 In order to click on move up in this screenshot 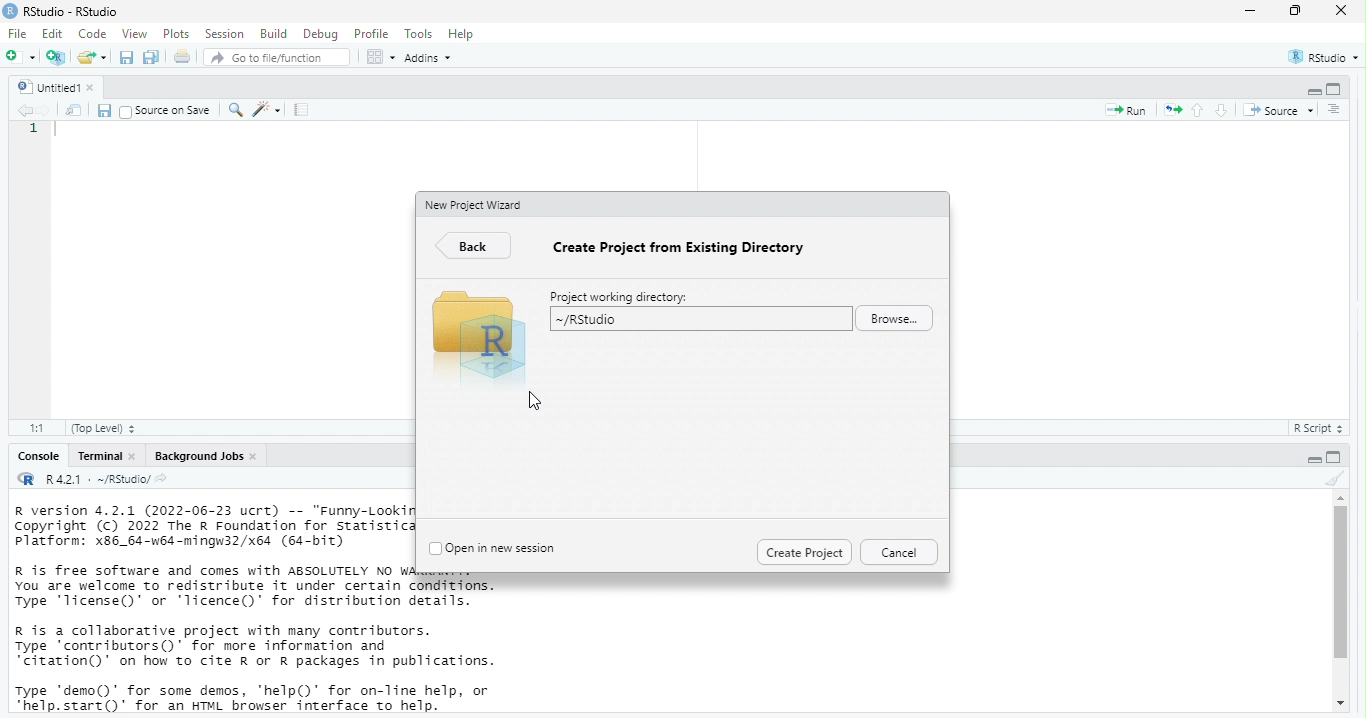, I will do `click(1342, 495)`.